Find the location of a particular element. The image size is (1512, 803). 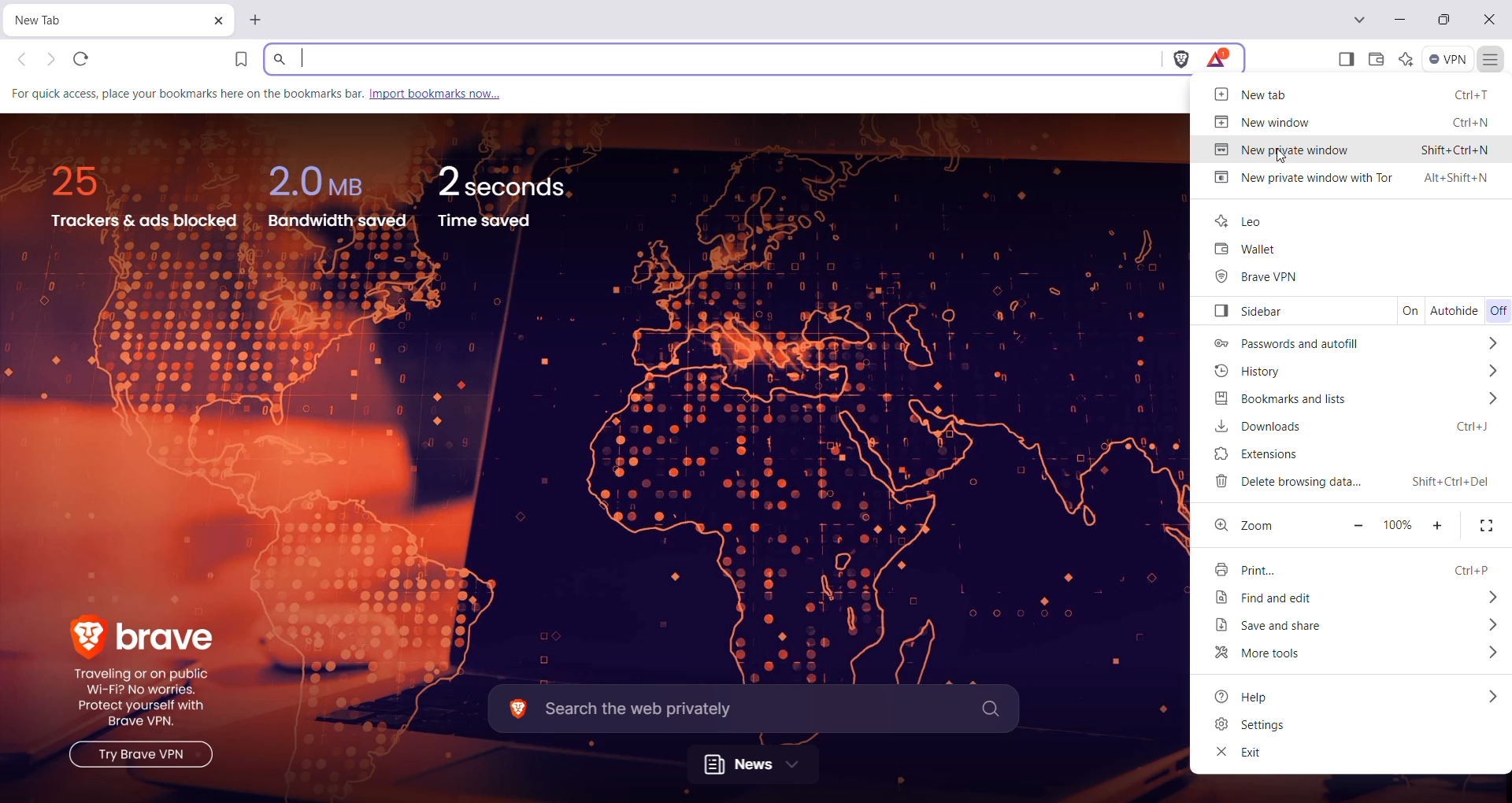

Leo is located at coordinates (1240, 218).